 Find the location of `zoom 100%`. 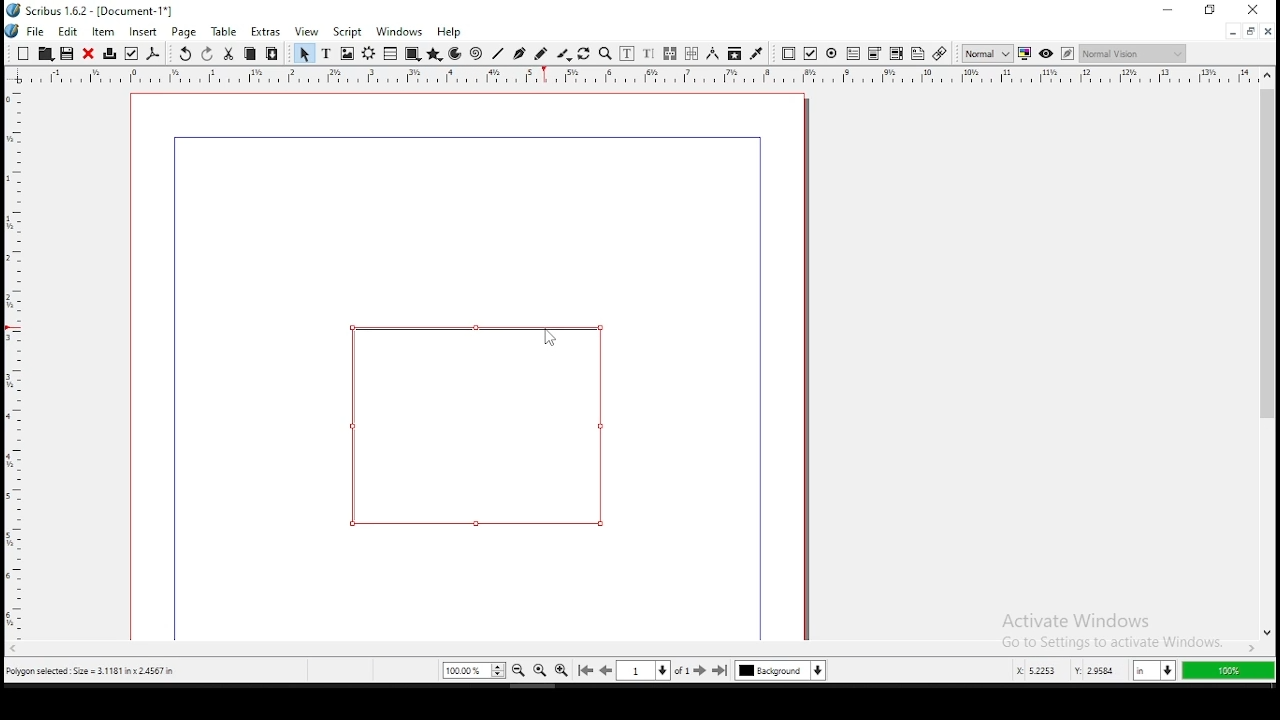

zoom 100% is located at coordinates (540, 670).